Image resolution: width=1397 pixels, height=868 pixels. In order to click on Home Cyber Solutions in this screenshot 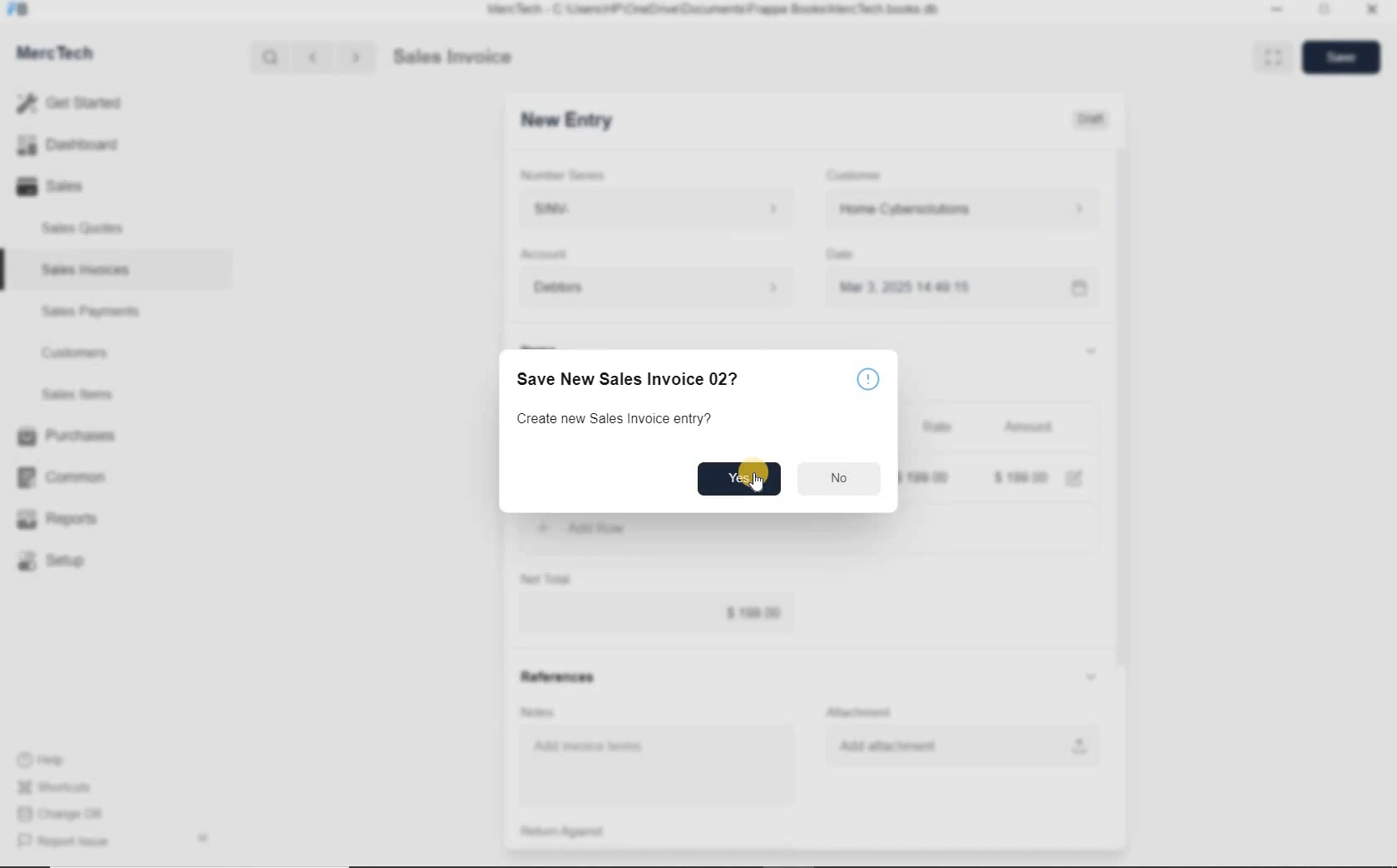, I will do `click(961, 210)`.